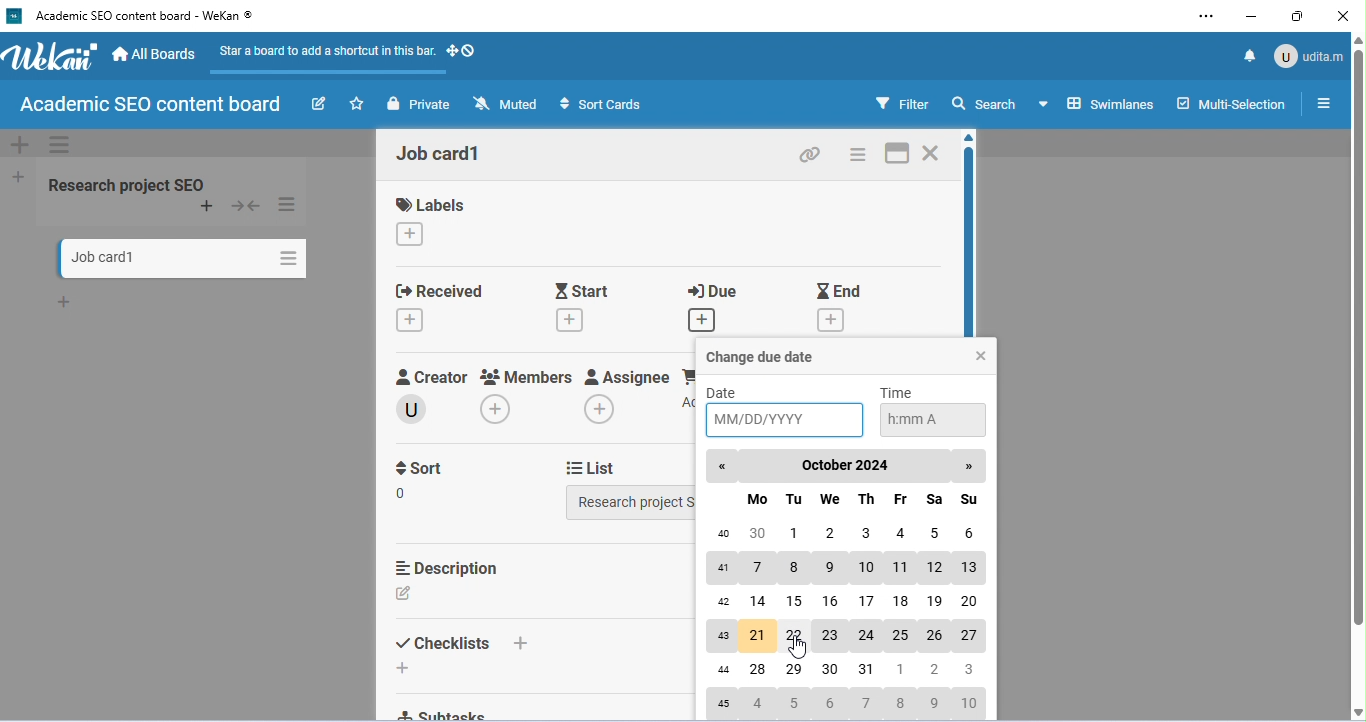 The image size is (1366, 722). What do you see at coordinates (452, 714) in the screenshot?
I see `subtasks` at bounding box center [452, 714].